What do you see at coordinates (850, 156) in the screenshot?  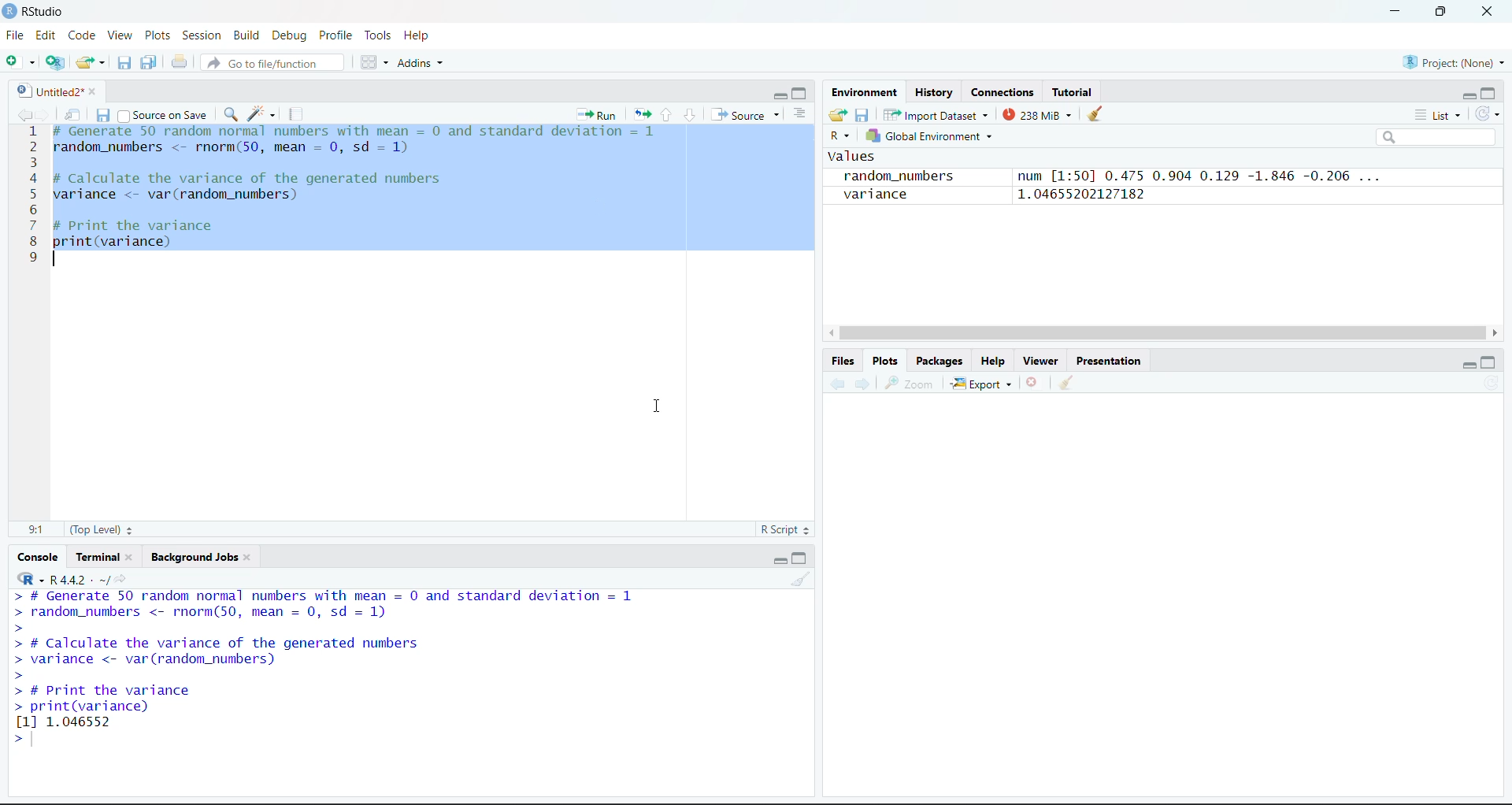 I see `values` at bounding box center [850, 156].